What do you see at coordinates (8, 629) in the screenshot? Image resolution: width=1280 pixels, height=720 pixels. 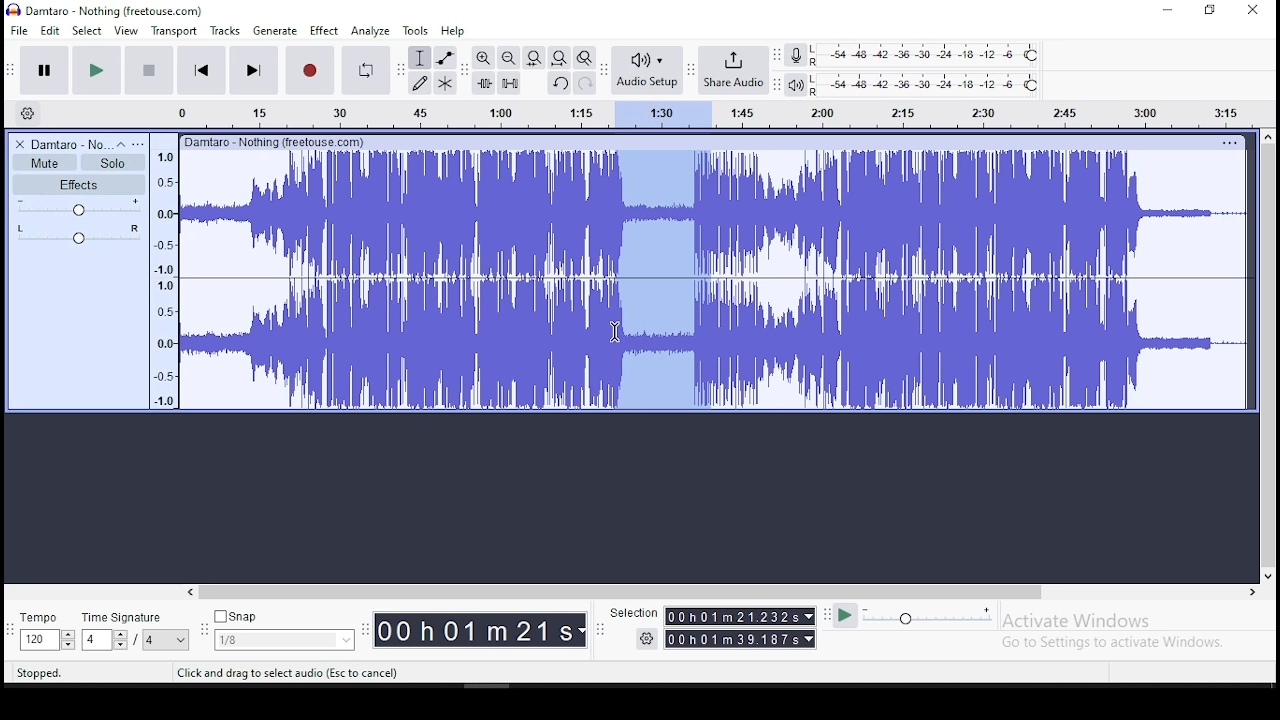 I see `` at bounding box center [8, 629].